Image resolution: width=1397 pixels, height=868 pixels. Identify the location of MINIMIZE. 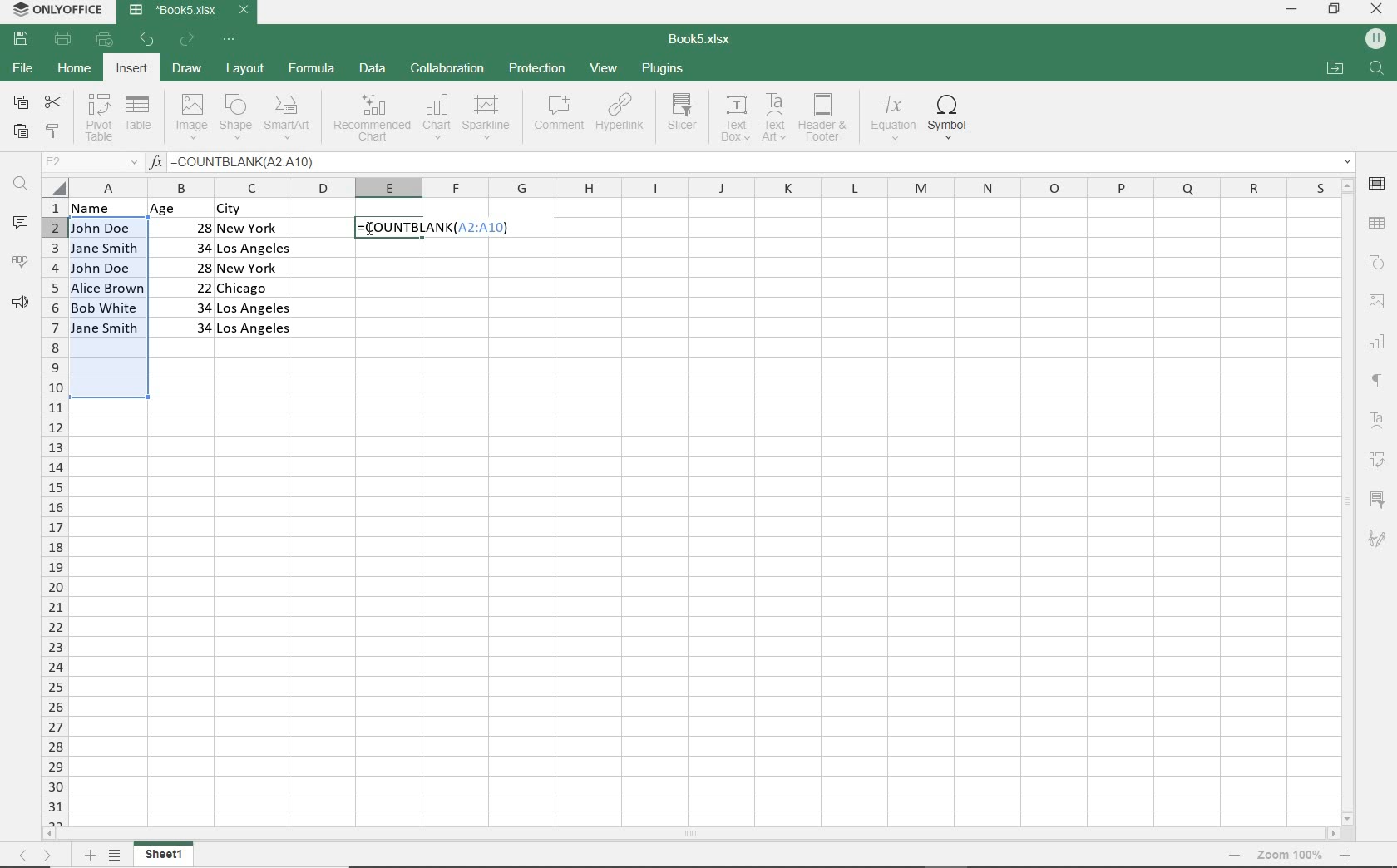
(1291, 10).